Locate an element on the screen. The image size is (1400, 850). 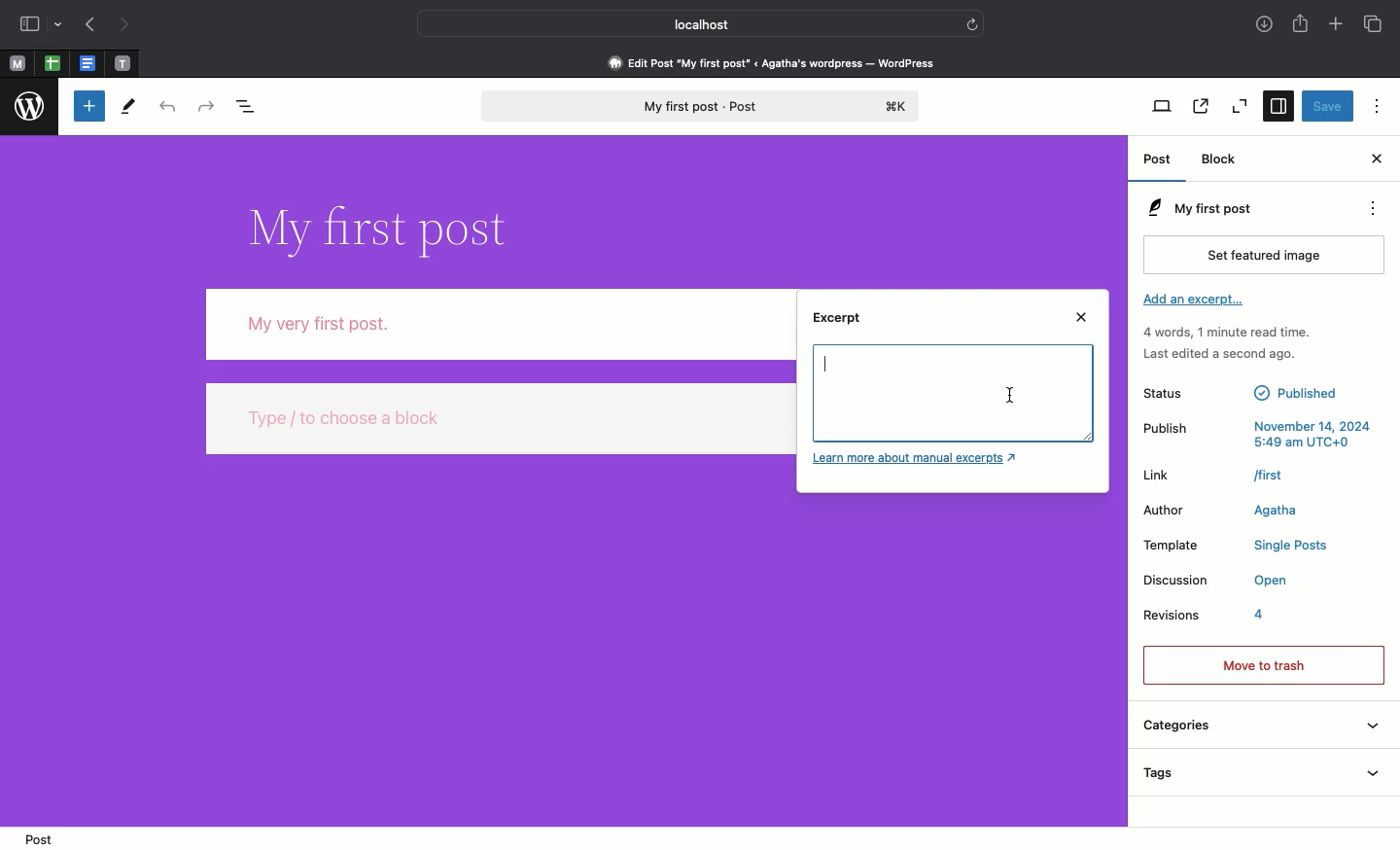
Save is located at coordinates (1327, 107).